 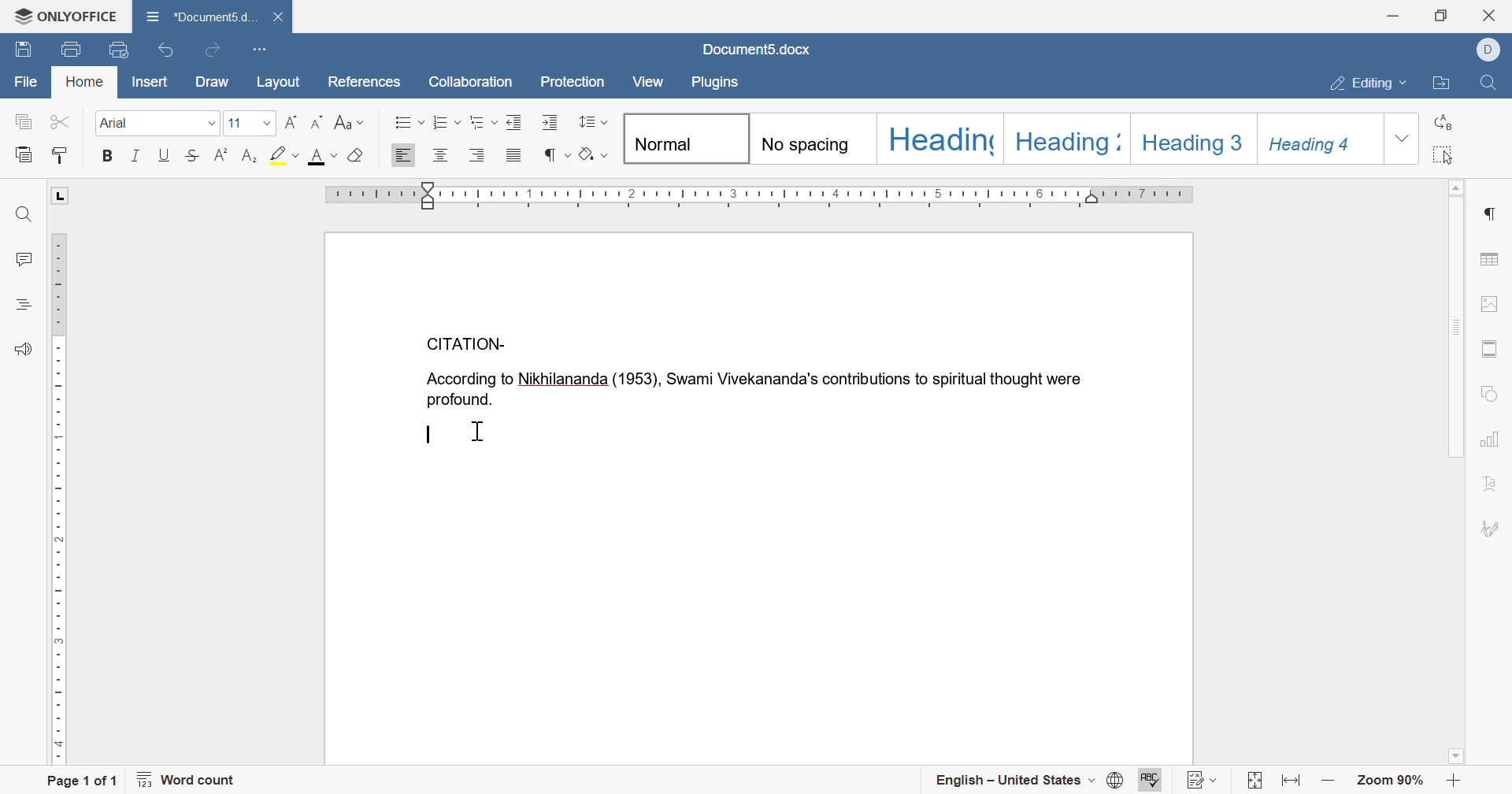 What do you see at coordinates (557, 156) in the screenshot?
I see `nonprinting characters` at bounding box center [557, 156].